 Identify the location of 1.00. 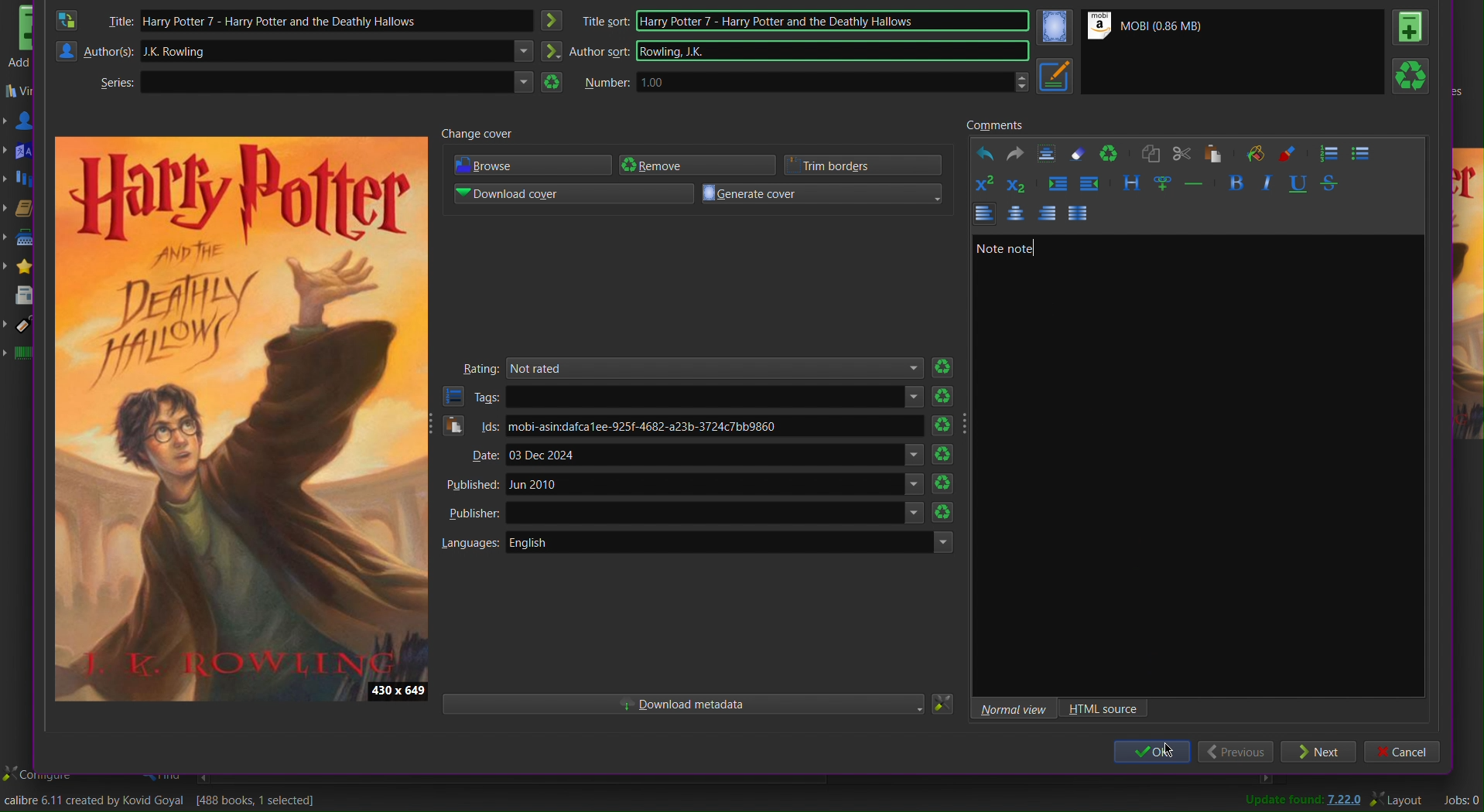
(834, 82).